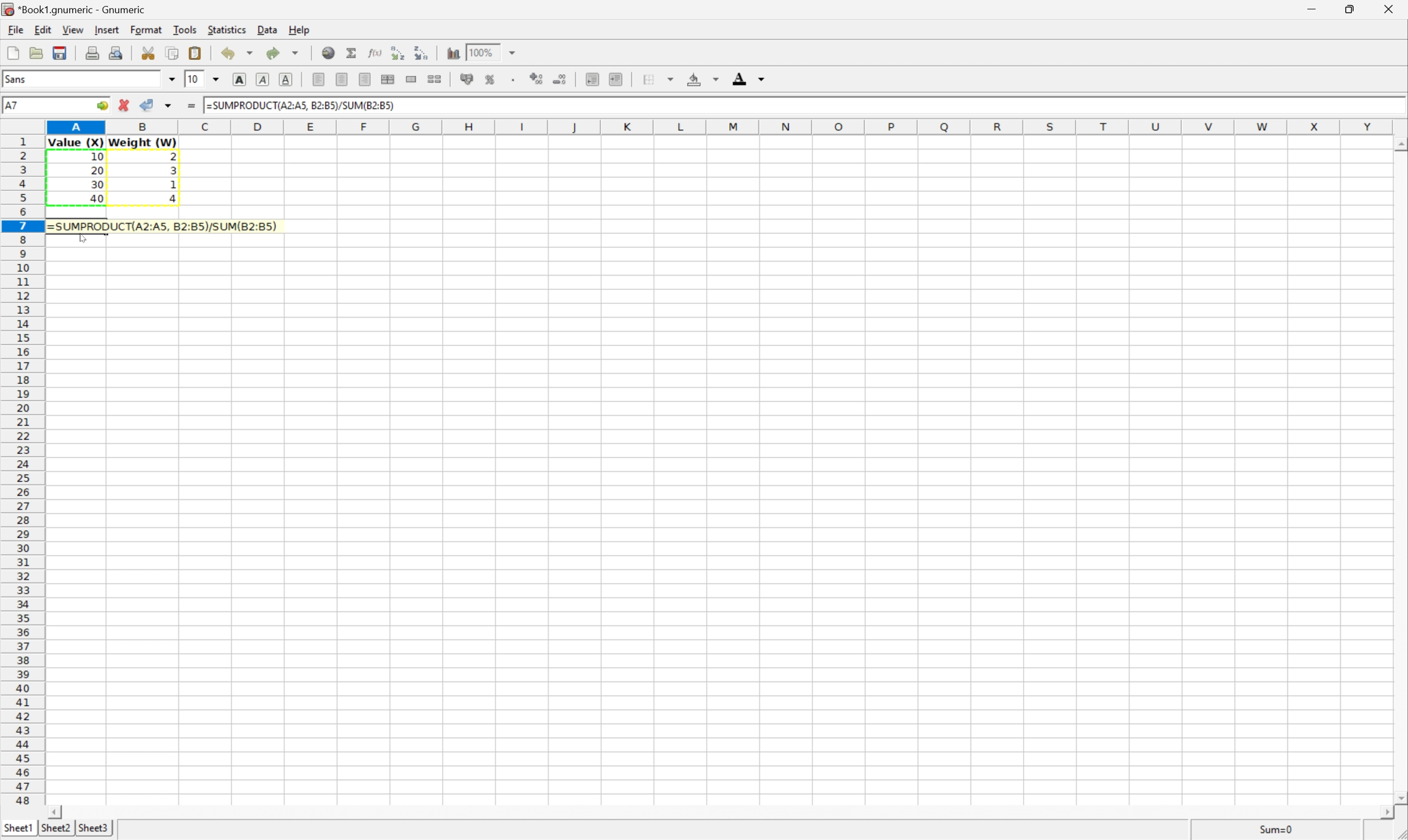 Image resolution: width=1408 pixels, height=840 pixels. What do you see at coordinates (143, 142) in the screenshot?
I see `Weight (W)` at bounding box center [143, 142].